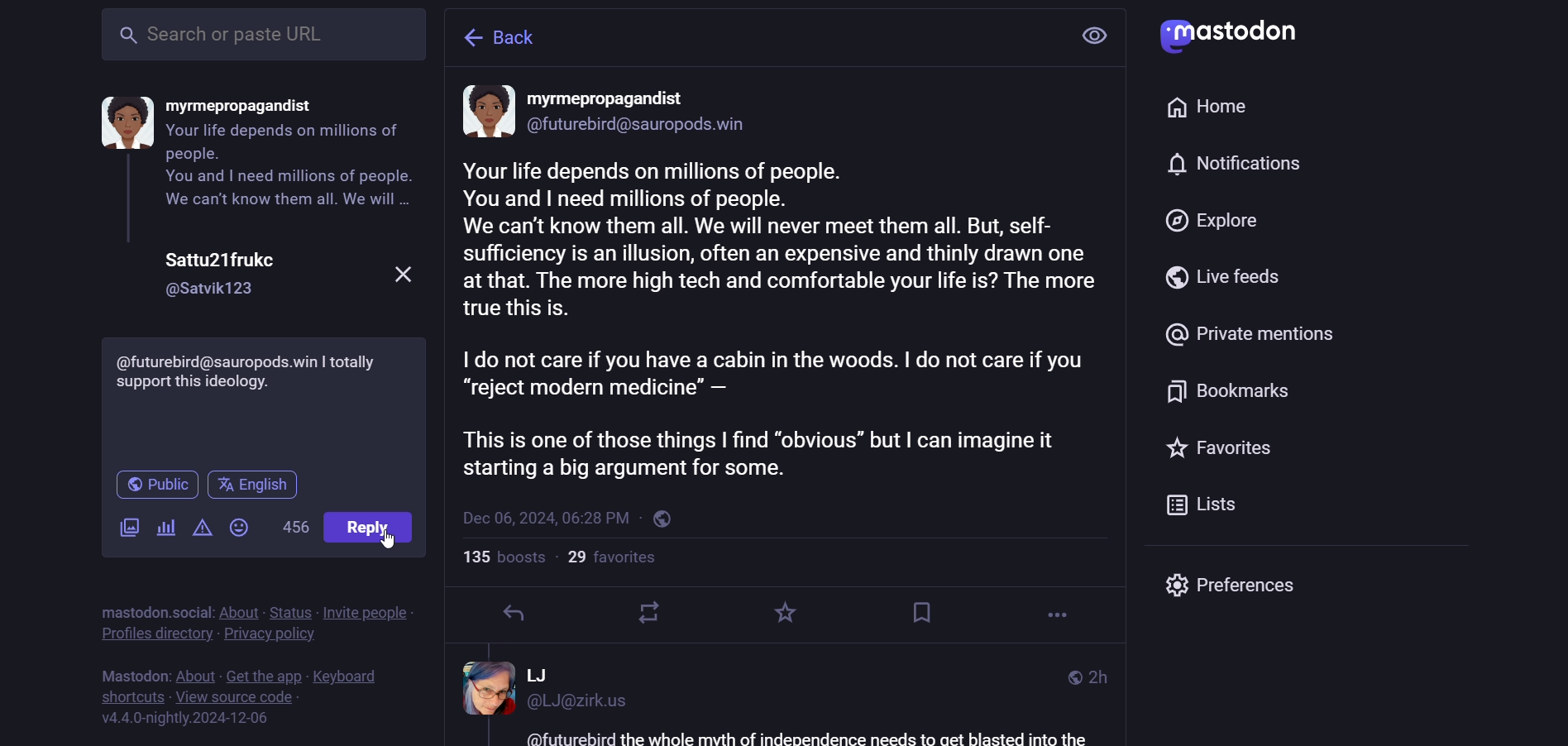  What do you see at coordinates (241, 612) in the screenshot?
I see `about` at bounding box center [241, 612].